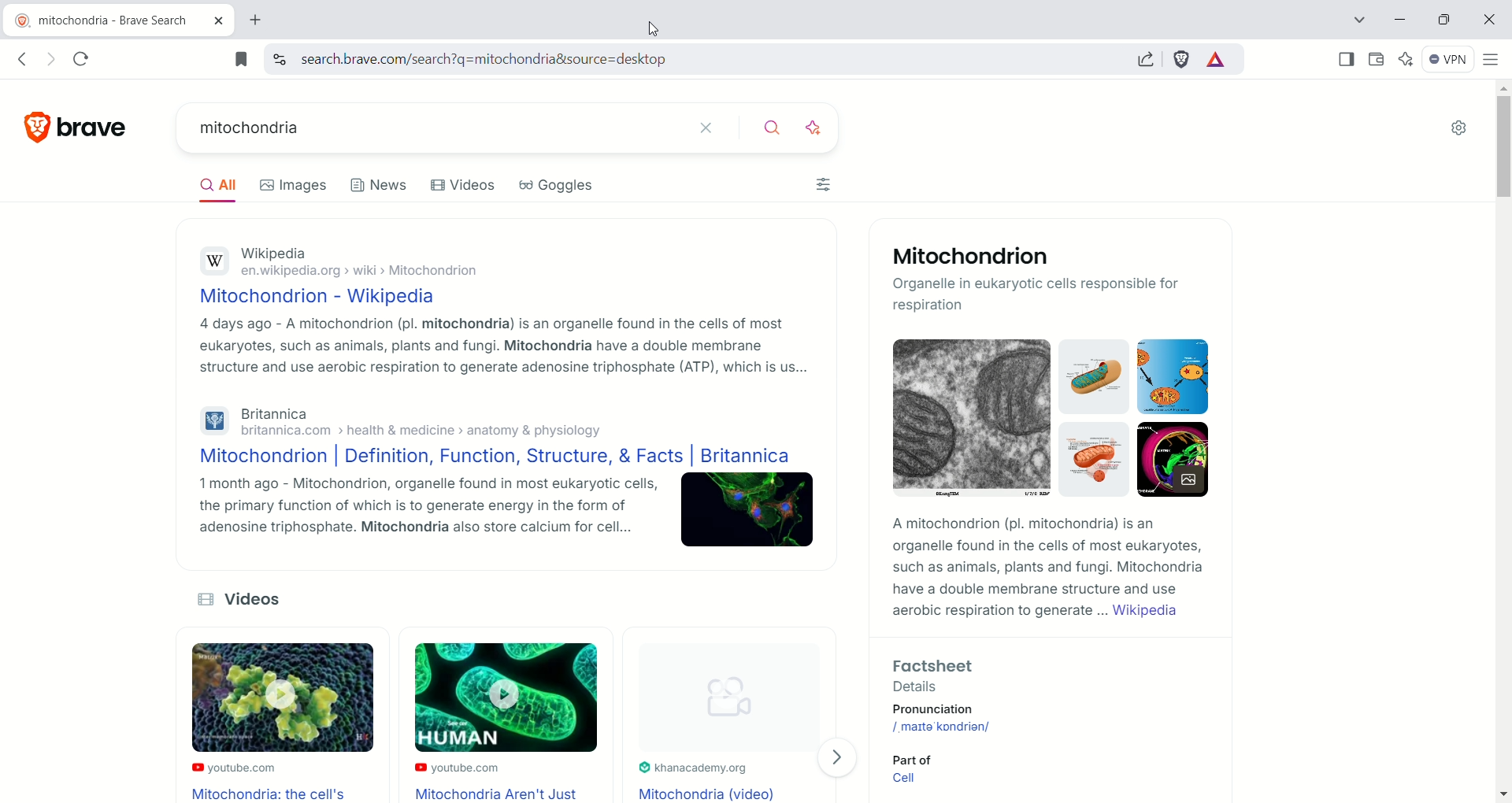 The image size is (1512, 803). I want to click on Factsheet - Details, so click(1036, 673).